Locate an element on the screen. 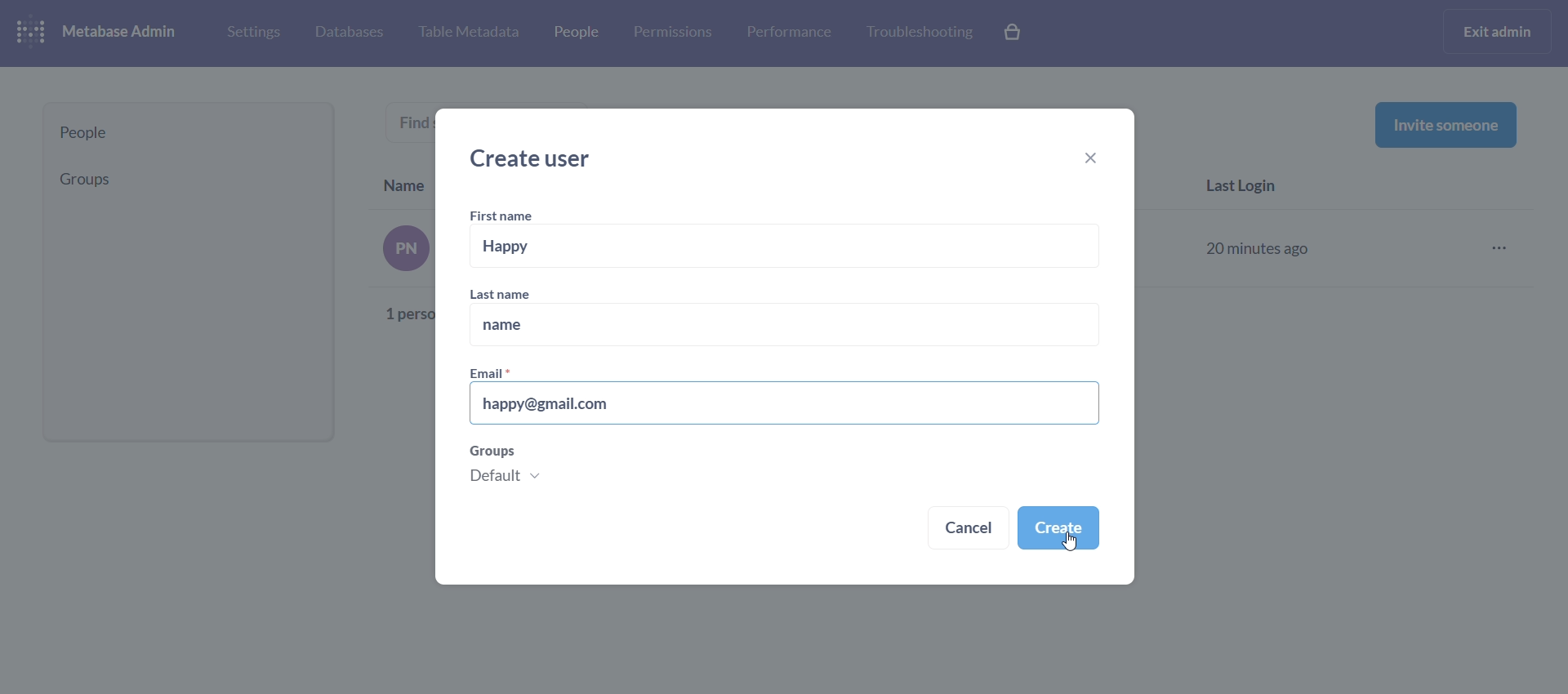  settings is located at coordinates (252, 31).